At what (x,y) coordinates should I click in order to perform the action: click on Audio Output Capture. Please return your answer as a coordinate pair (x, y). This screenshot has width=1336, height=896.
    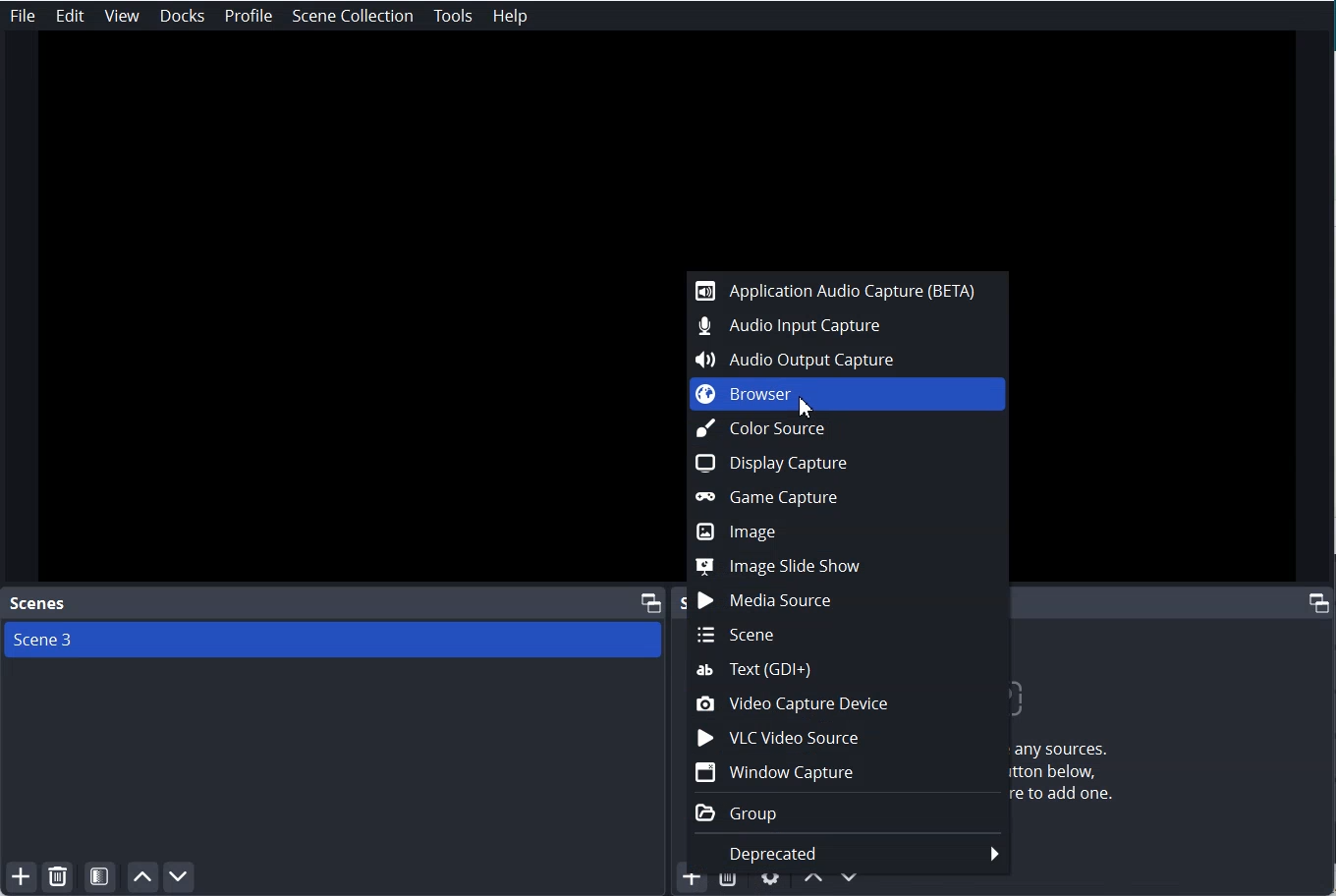
    Looking at the image, I should click on (849, 360).